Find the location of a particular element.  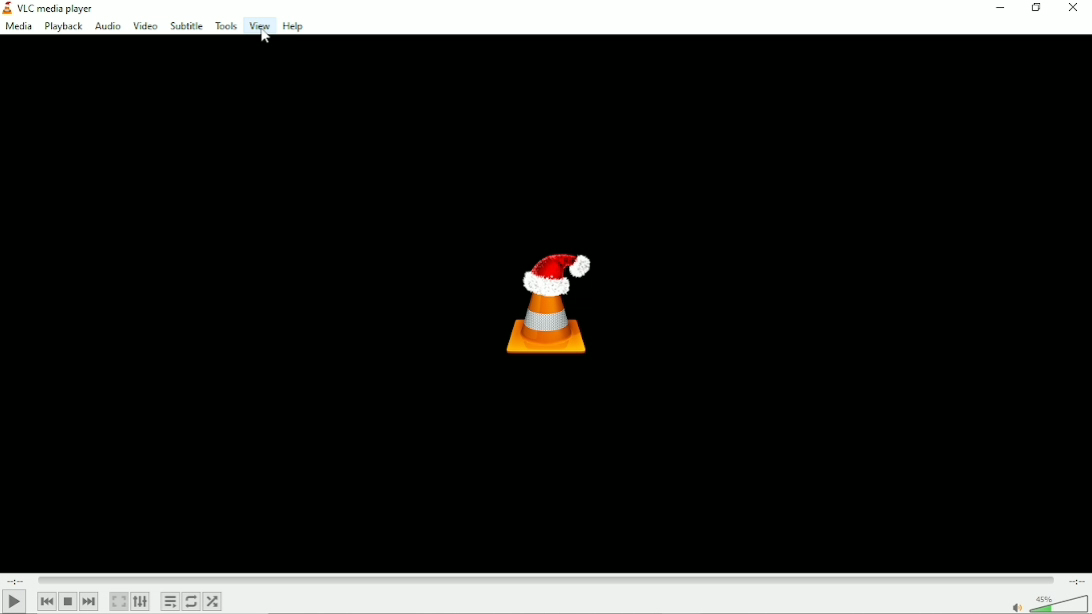

Tools is located at coordinates (225, 26).